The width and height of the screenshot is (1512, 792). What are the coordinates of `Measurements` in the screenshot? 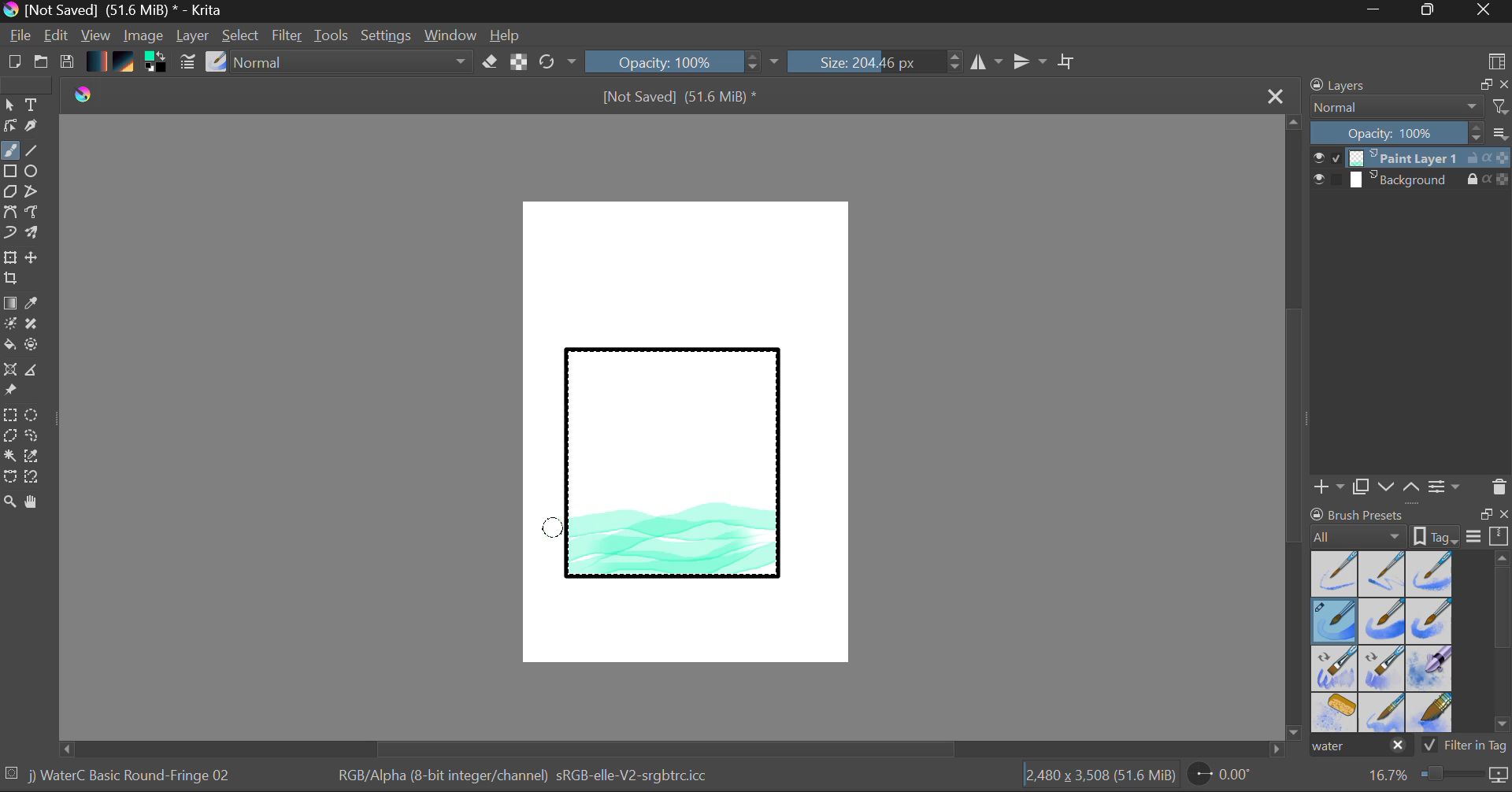 It's located at (34, 372).